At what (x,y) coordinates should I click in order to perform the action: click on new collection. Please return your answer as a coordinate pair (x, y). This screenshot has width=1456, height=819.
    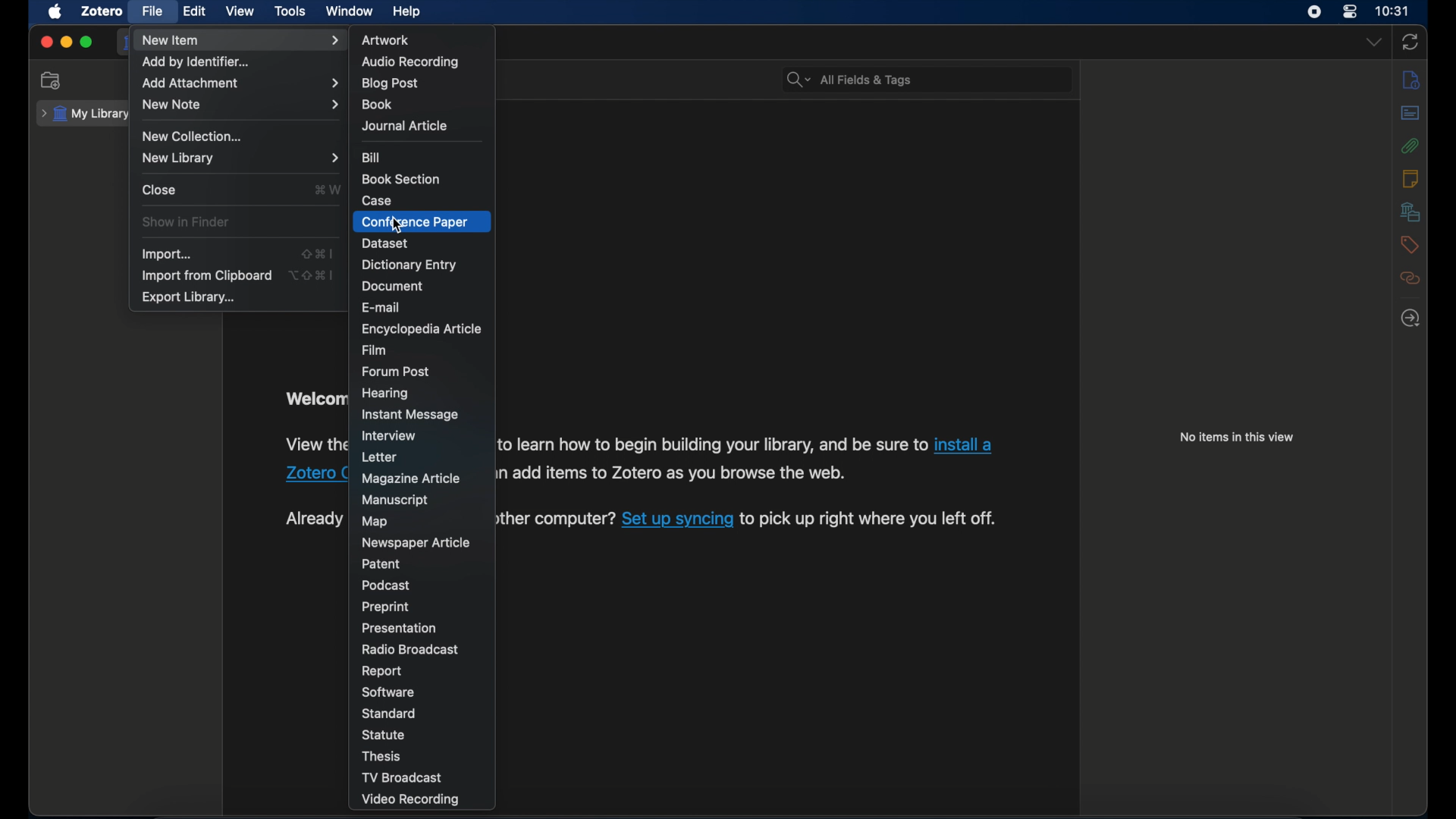
    Looking at the image, I should click on (52, 80).